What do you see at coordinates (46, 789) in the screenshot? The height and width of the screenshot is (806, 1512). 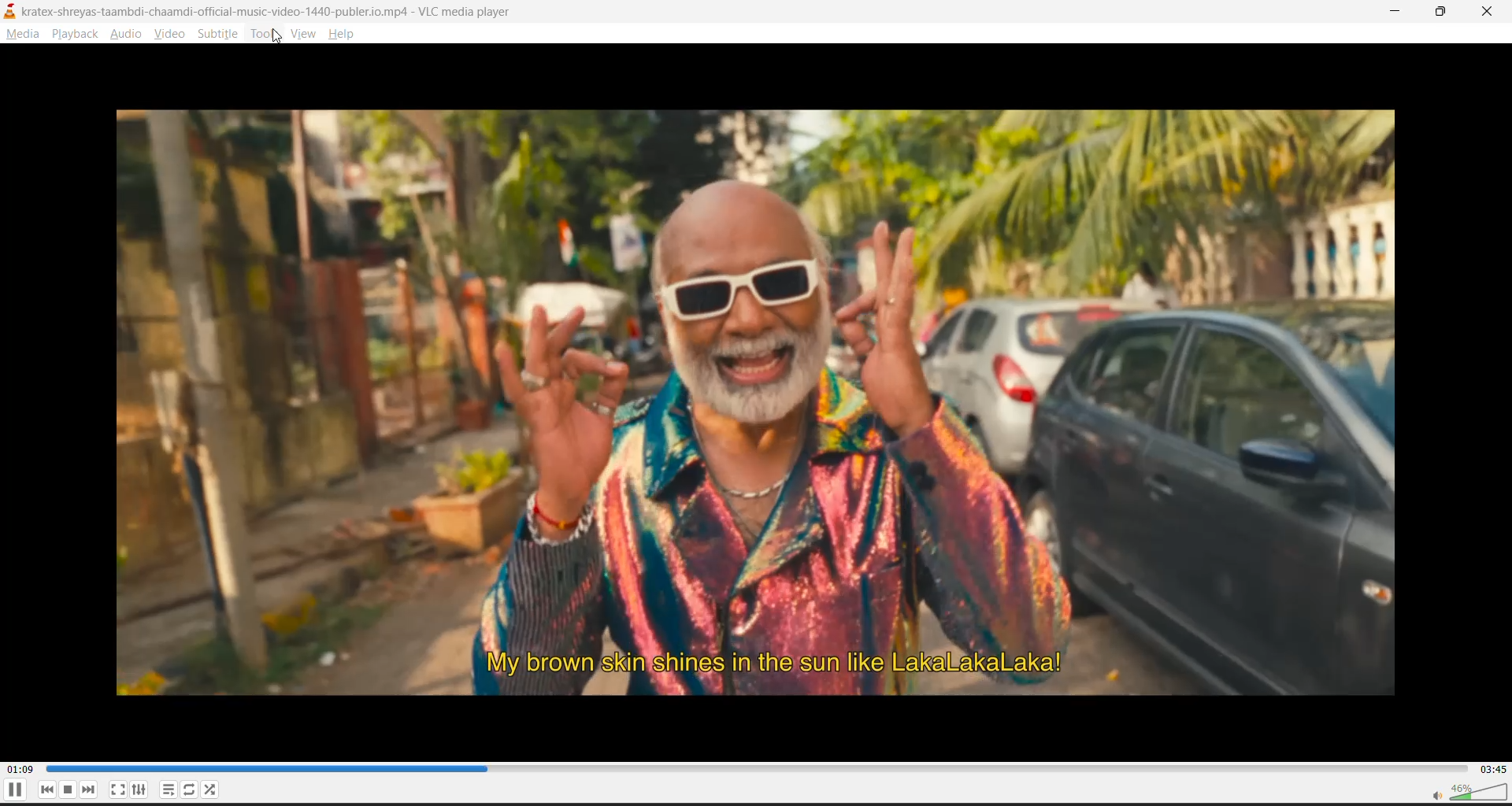 I see `previous` at bounding box center [46, 789].